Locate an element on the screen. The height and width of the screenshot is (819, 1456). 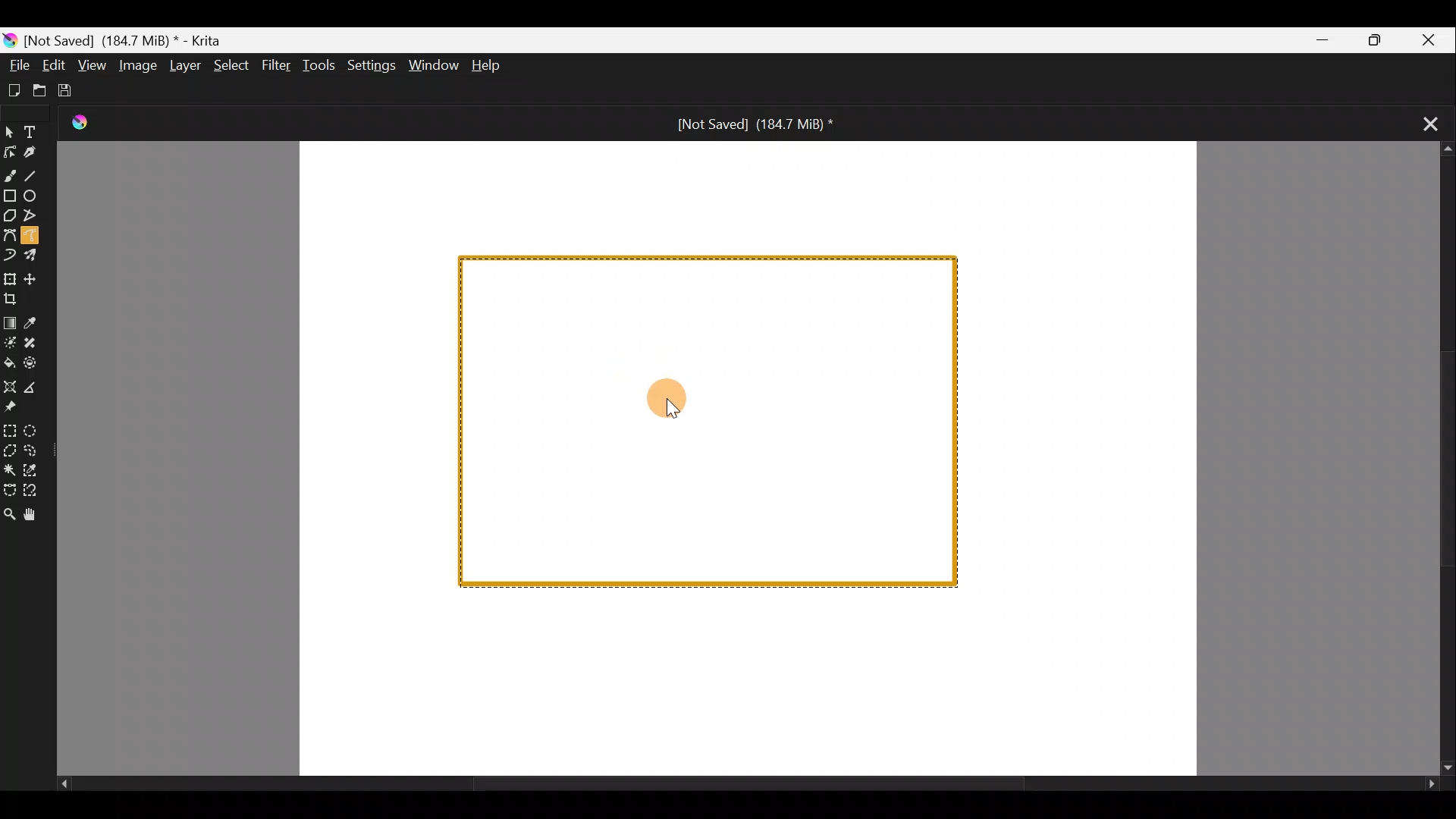
Save is located at coordinates (72, 93).